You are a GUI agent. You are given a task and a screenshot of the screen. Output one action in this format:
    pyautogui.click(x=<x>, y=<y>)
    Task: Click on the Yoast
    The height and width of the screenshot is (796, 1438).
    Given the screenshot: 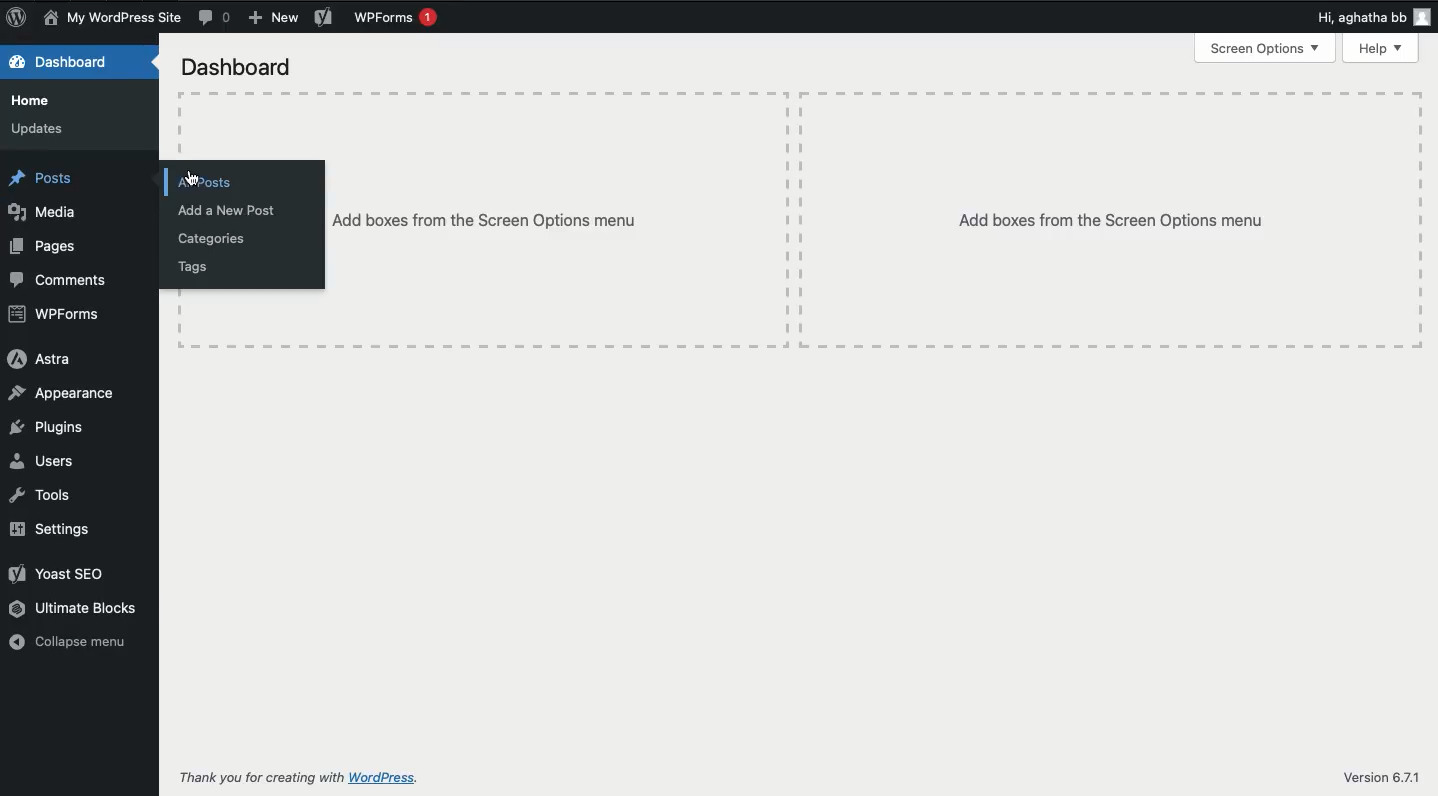 What is the action you would take?
    pyautogui.click(x=57, y=572)
    